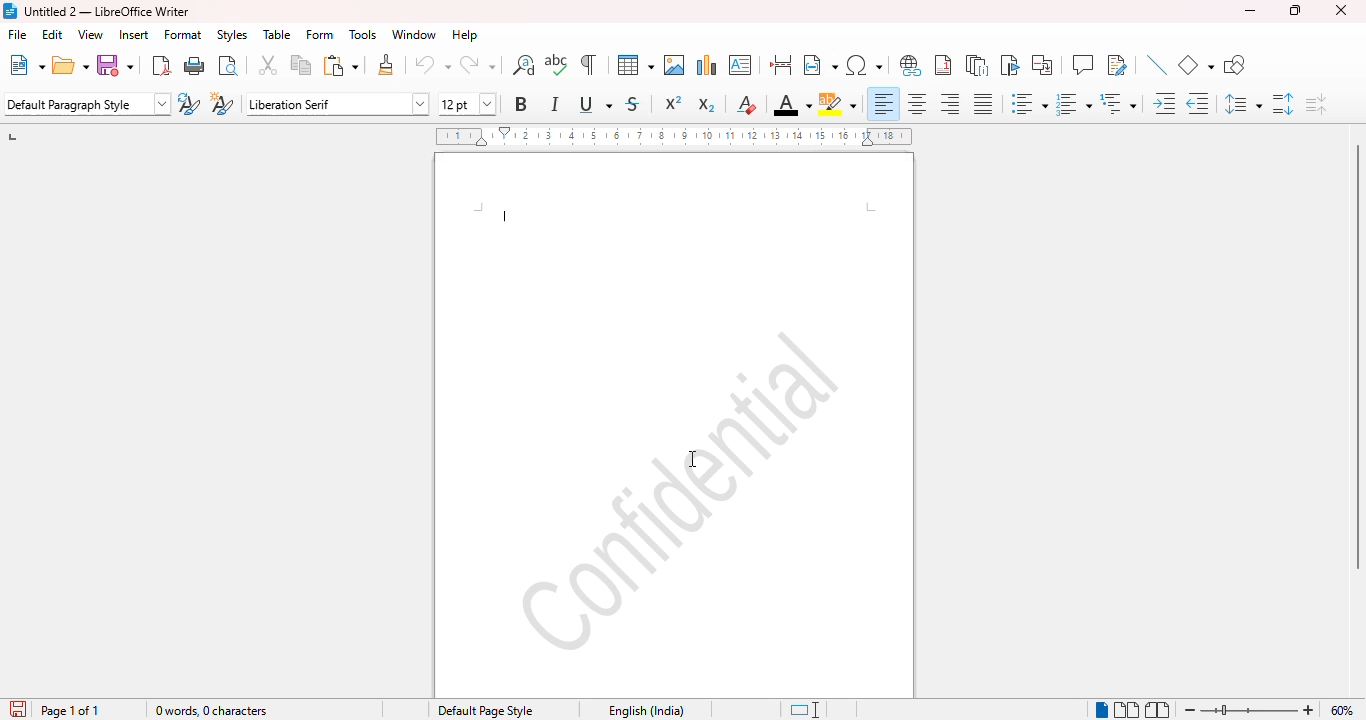  Describe the element at coordinates (863, 65) in the screenshot. I see `insert special characters` at that location.